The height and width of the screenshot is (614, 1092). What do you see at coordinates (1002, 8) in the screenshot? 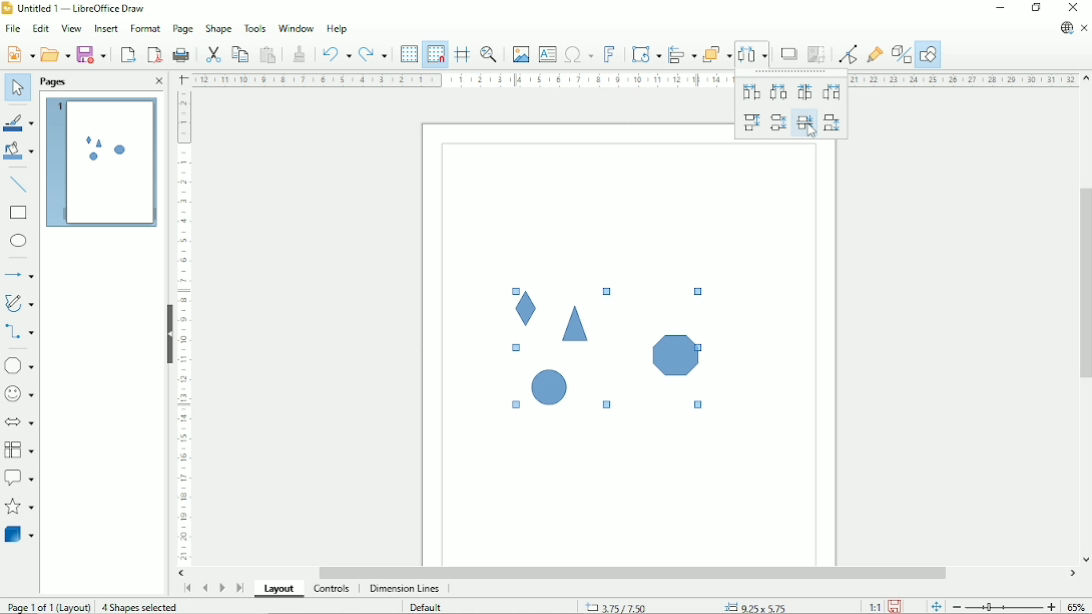
I see `Minimize` at bounding box center [1002, 8].